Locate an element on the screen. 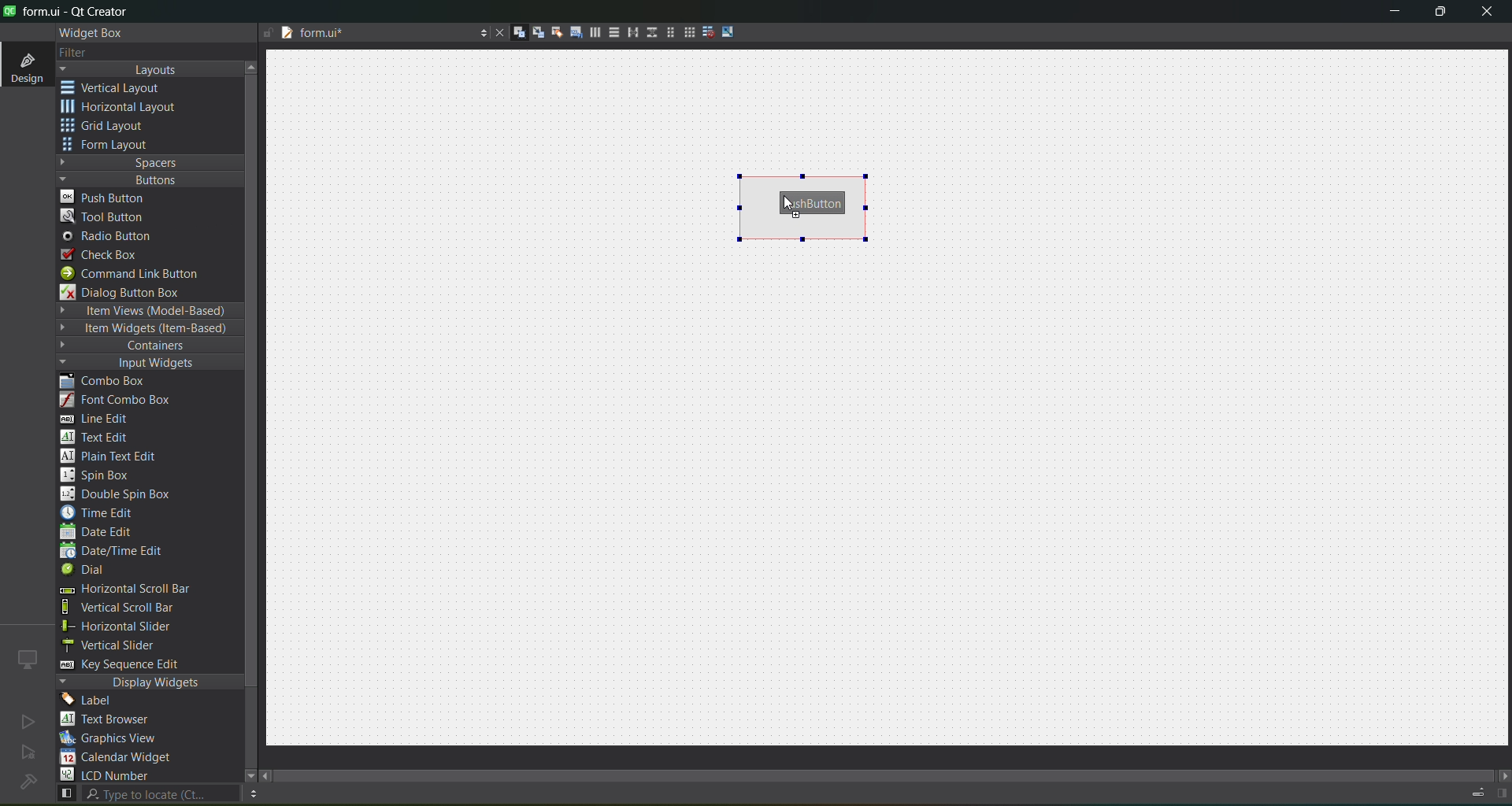 This screenshot has height=806, width=1512. lcd number is located at coordinates (109, 775).